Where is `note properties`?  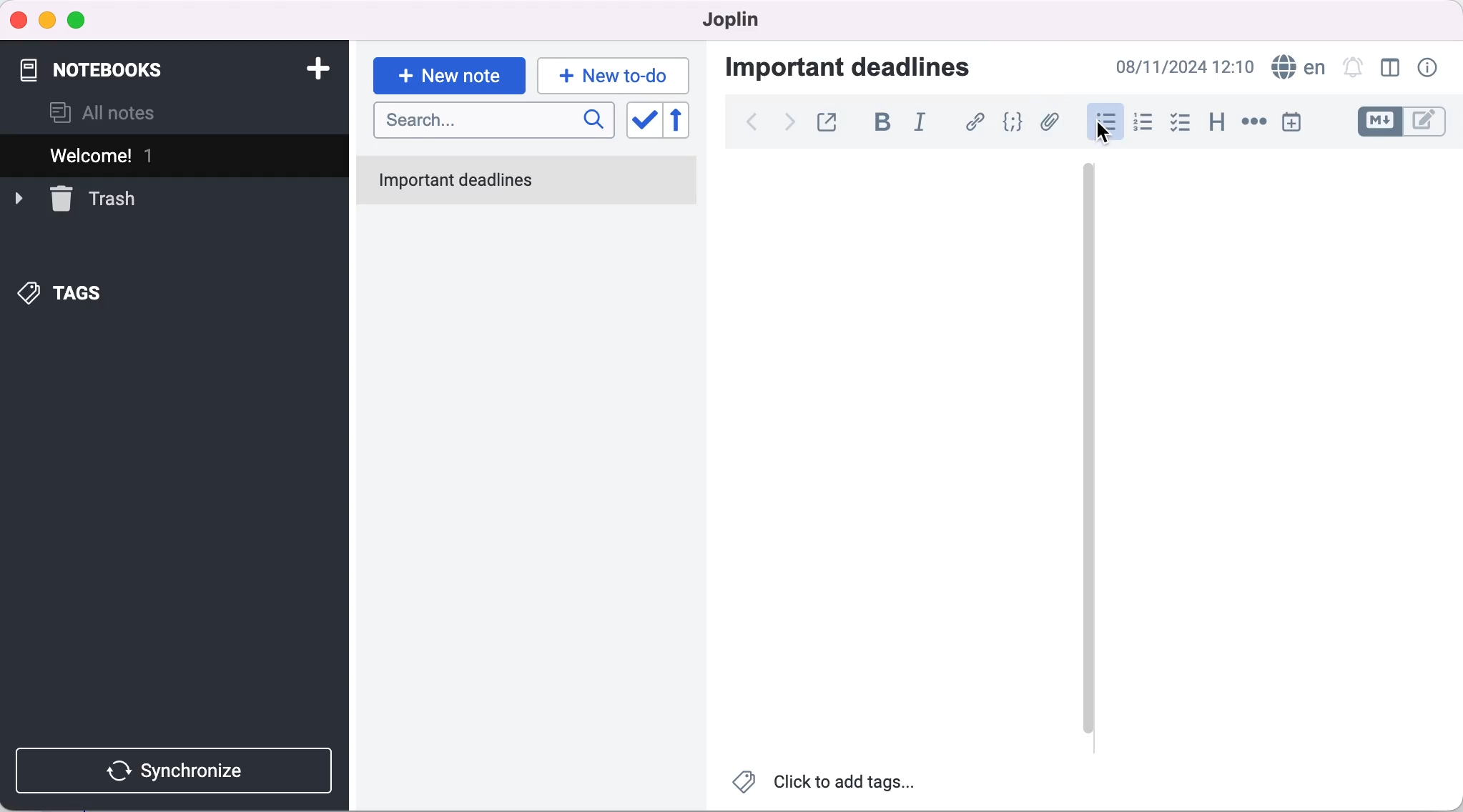
note properties is located at coordinates (1432, 69).